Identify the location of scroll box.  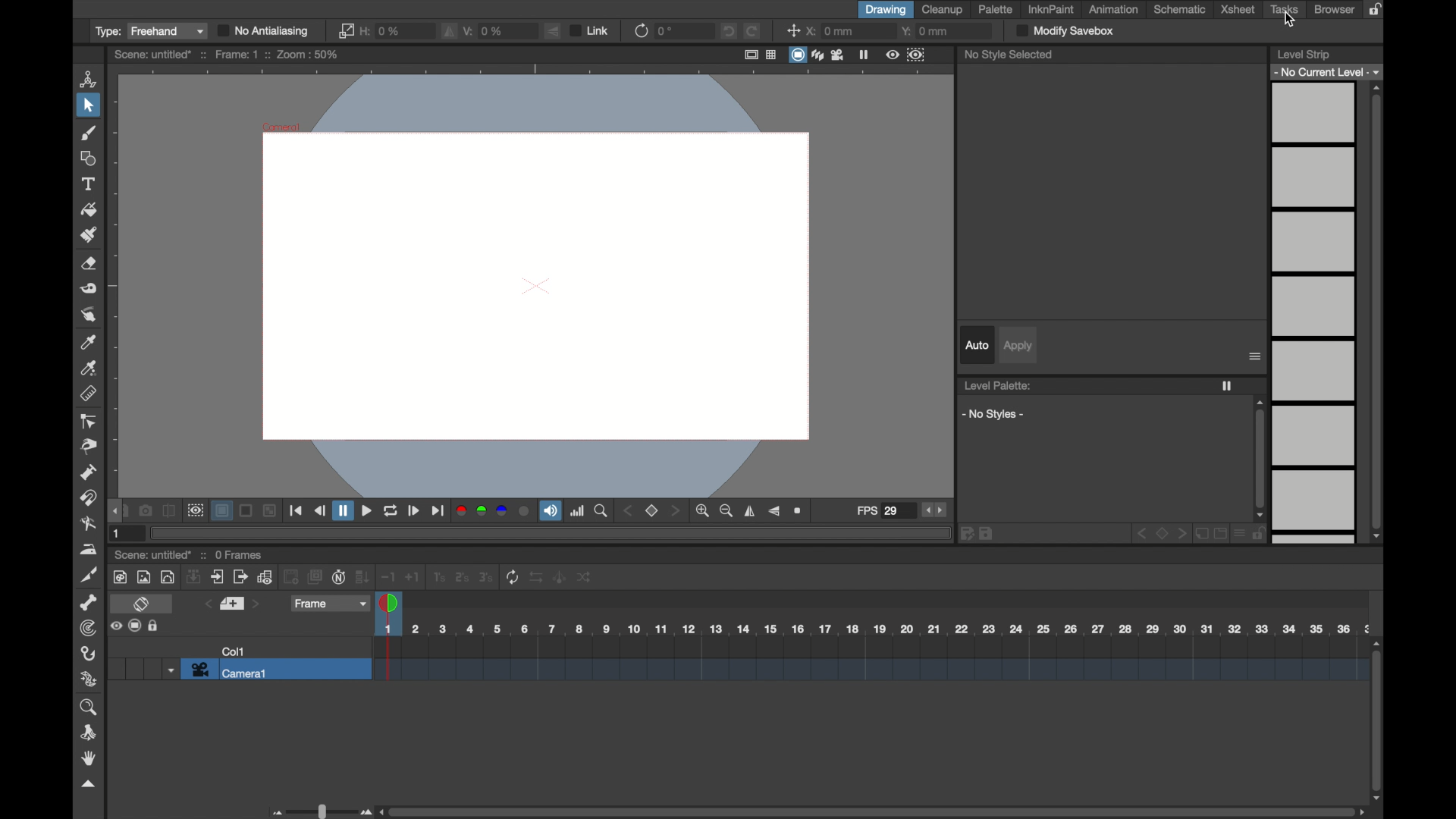
(1376, 723).